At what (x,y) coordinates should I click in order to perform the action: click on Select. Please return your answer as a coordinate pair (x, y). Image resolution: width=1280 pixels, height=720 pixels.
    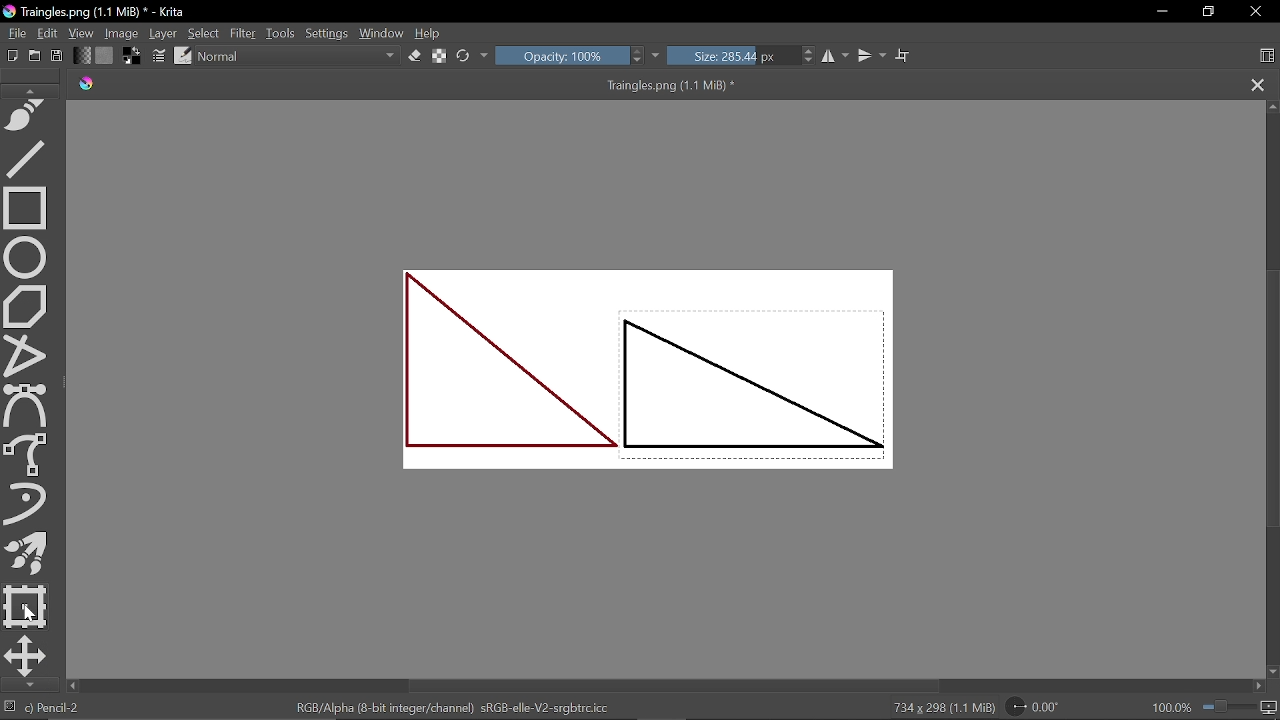
    Looking at the image, I should click on (203, 33).